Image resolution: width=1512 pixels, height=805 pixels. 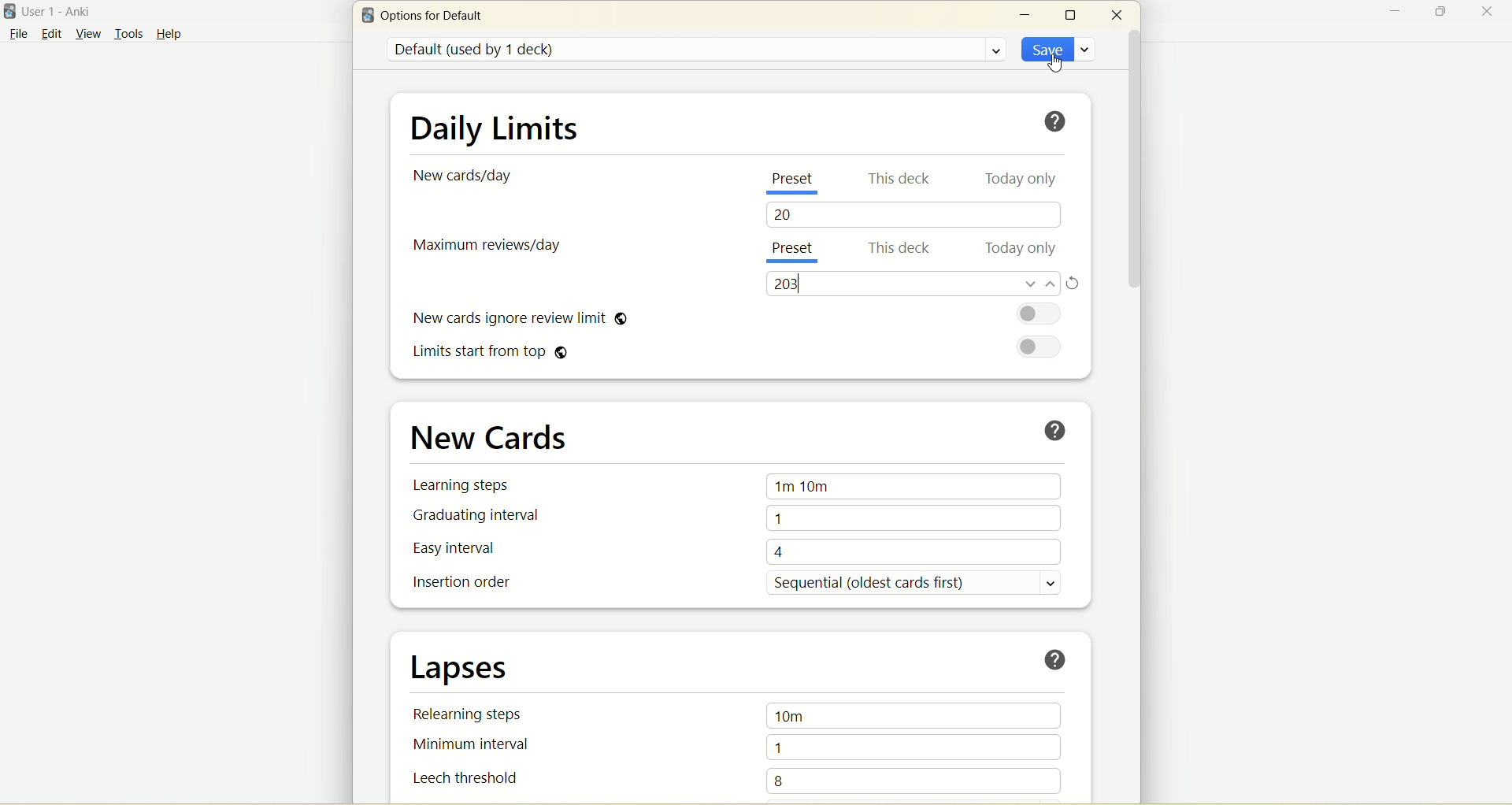 What do you see at coordinates (800, 184) in the screenshot?
I see `present` at bounding box center [800, 184].